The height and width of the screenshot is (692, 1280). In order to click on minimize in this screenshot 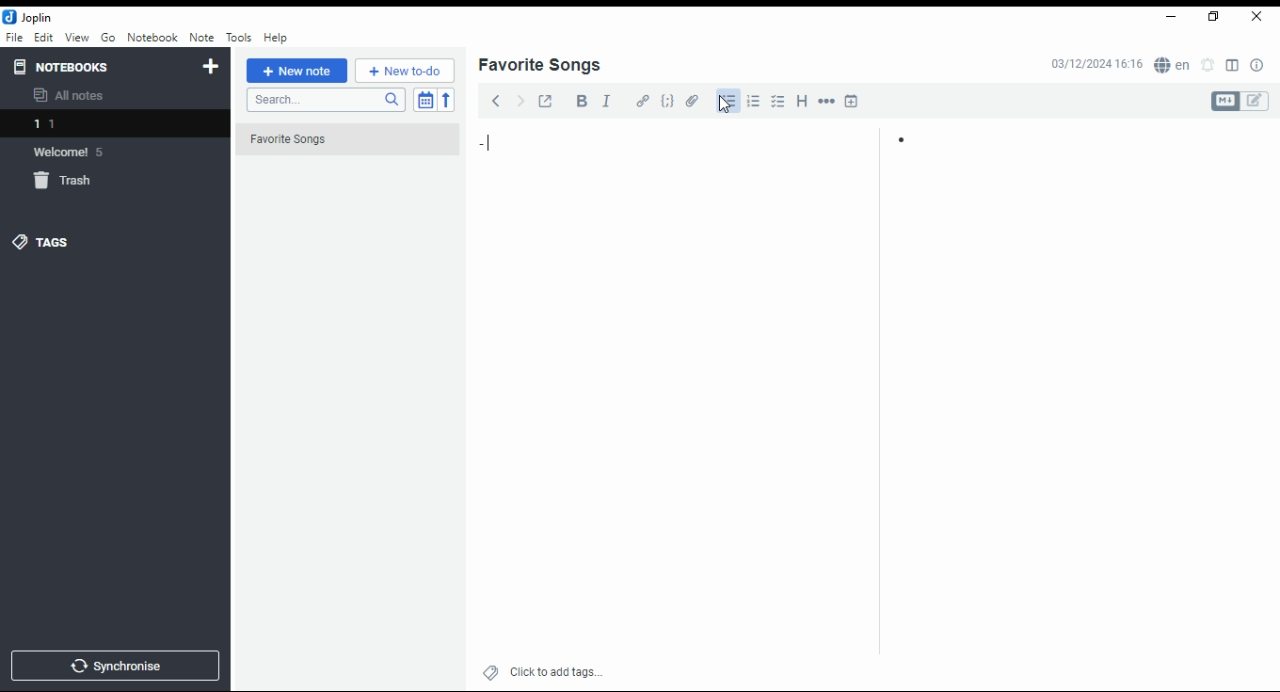, I will do `click(1168, 18)`.